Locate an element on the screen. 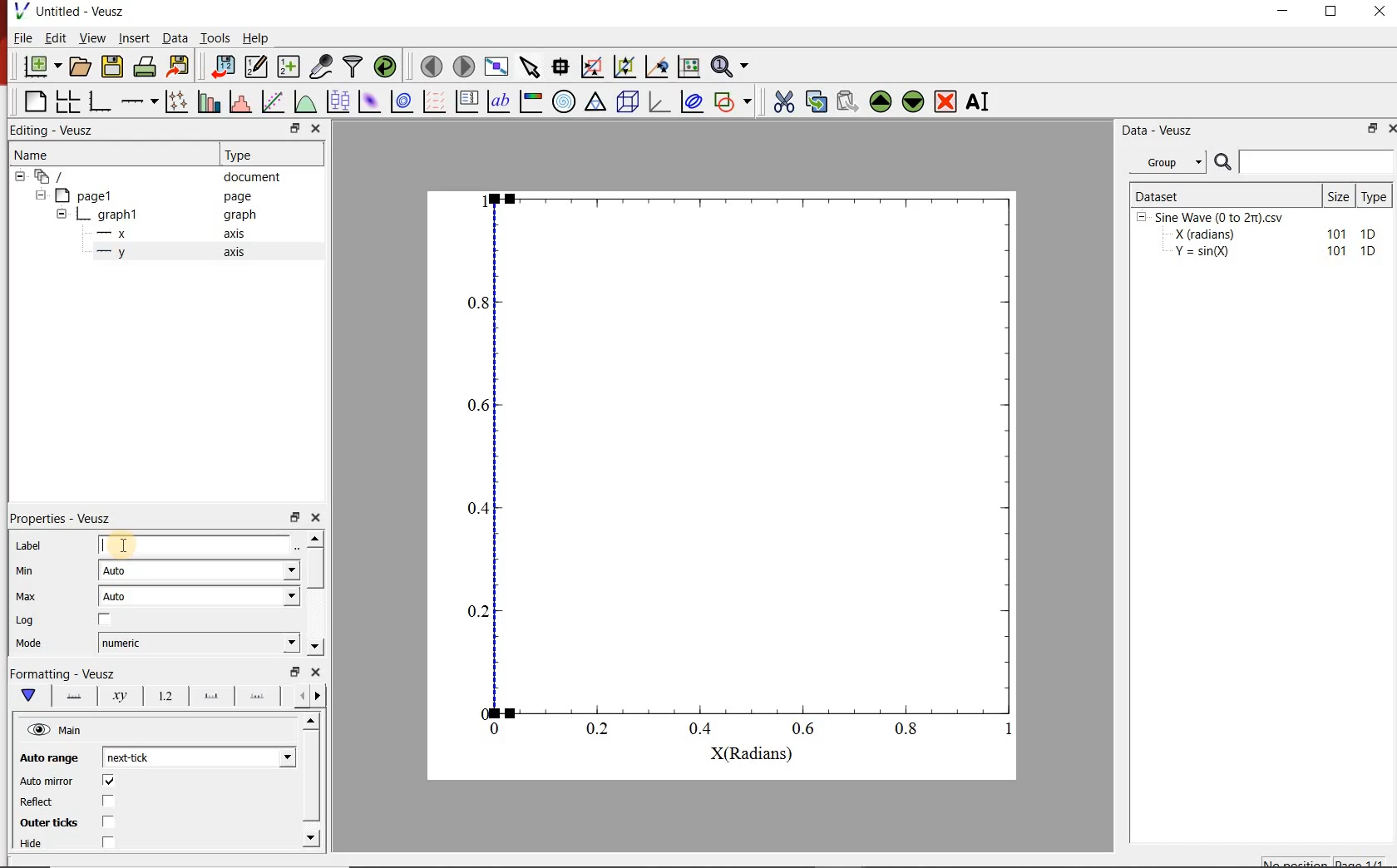 The height and width of the screenshot is (868, 1397). plot a function is located at coordinates (307, 101).